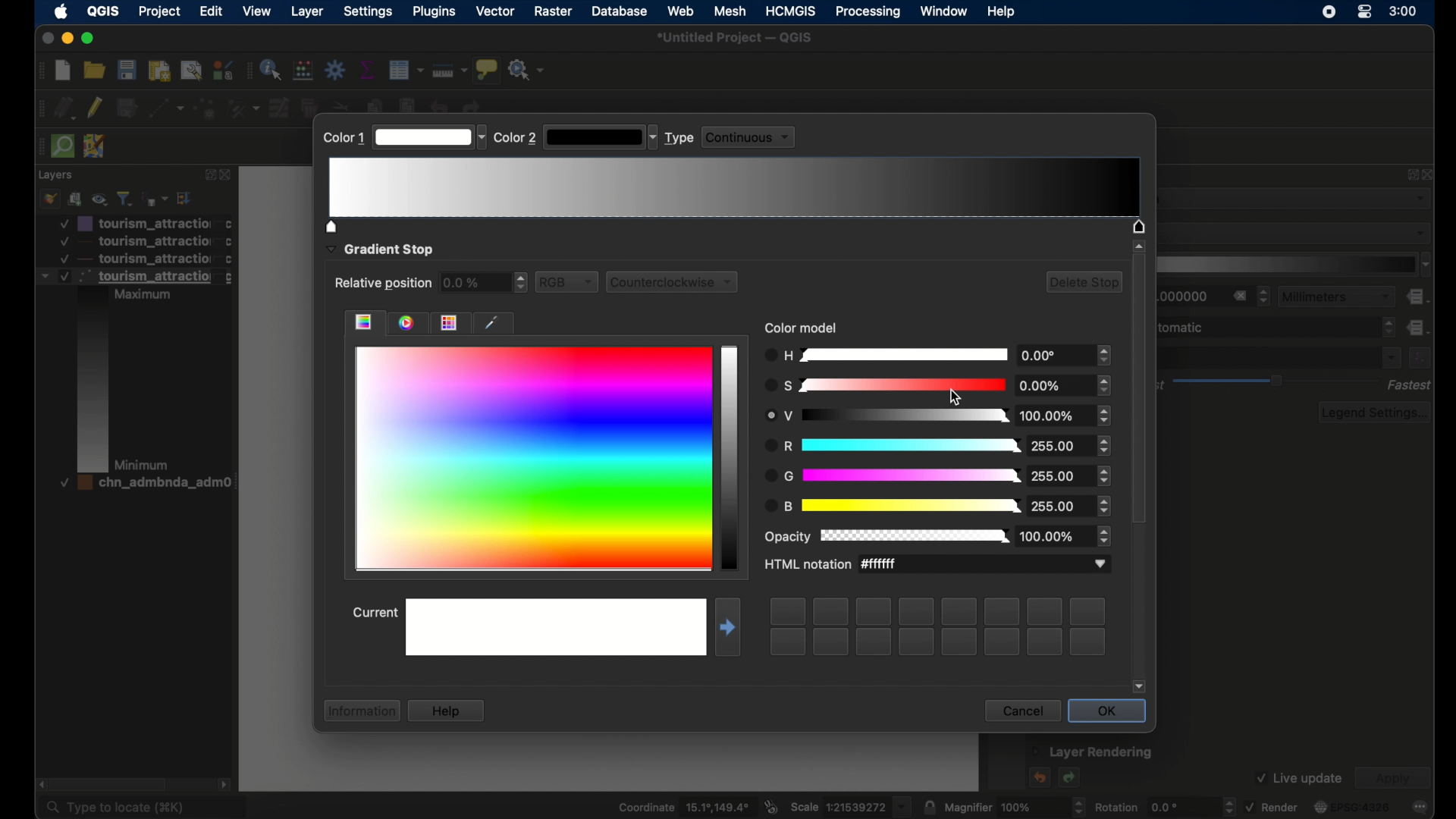 Image resolution: width=1456 pixels, height=819 pixels. Describe the element at coordinates (41, 71) in the screenshot. I see `drag handle` at that location.